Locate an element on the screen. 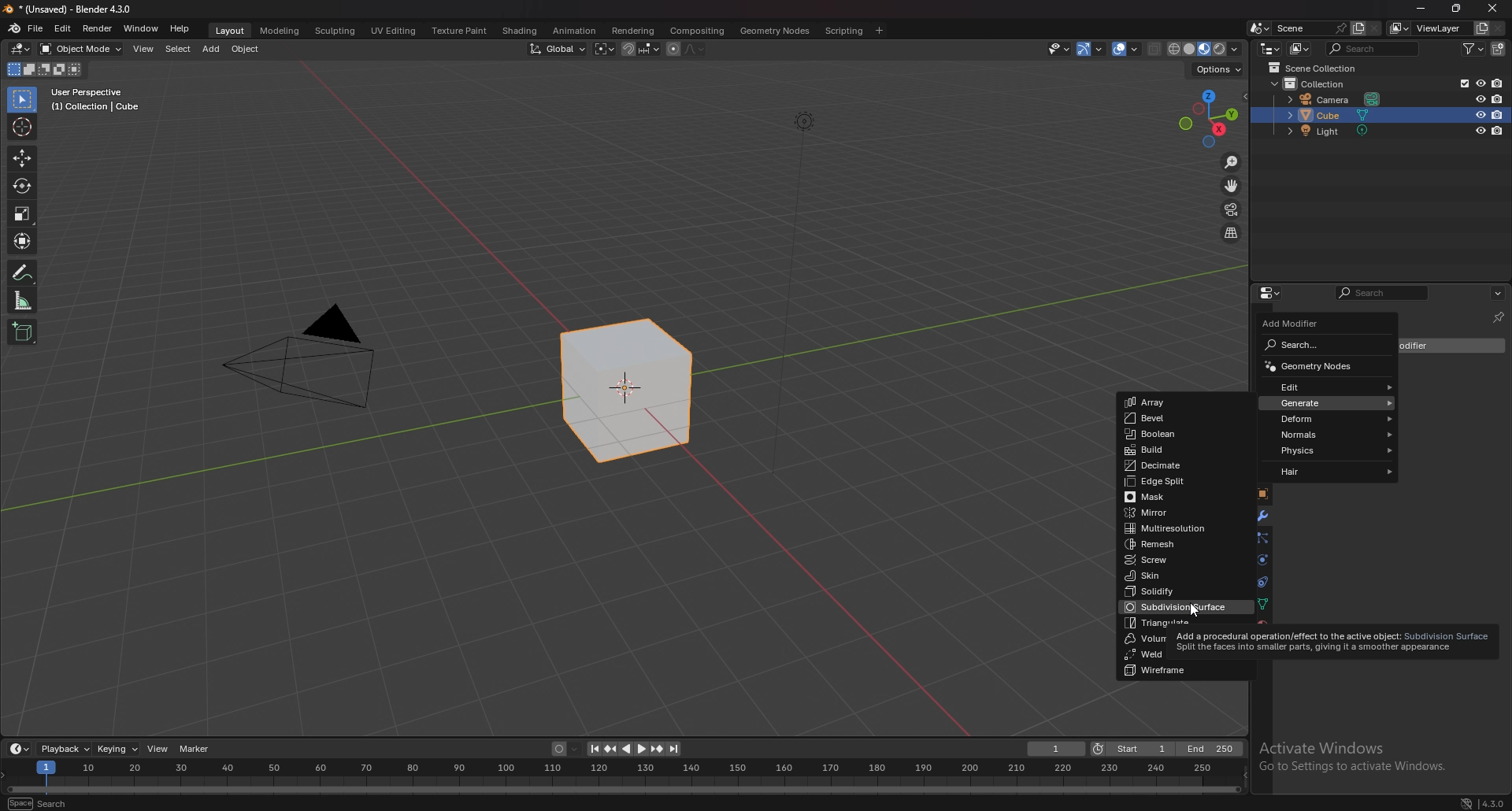 This screenshot has width=1512, height=811. toggle xray is located at coordinates (1156, 49).